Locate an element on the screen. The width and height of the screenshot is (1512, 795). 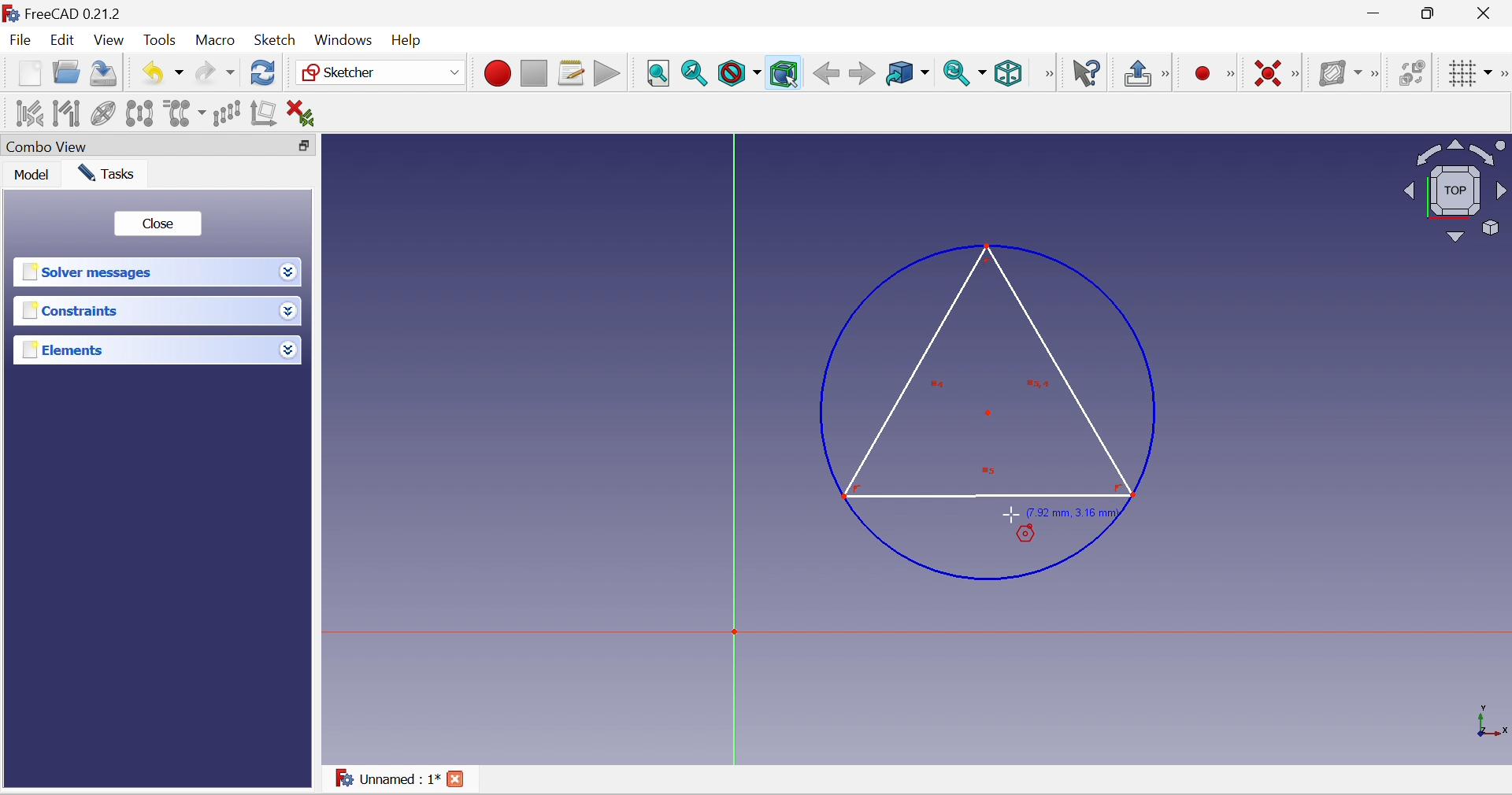
[Sketcher edit tools] is located at coordinates (1503, 75).